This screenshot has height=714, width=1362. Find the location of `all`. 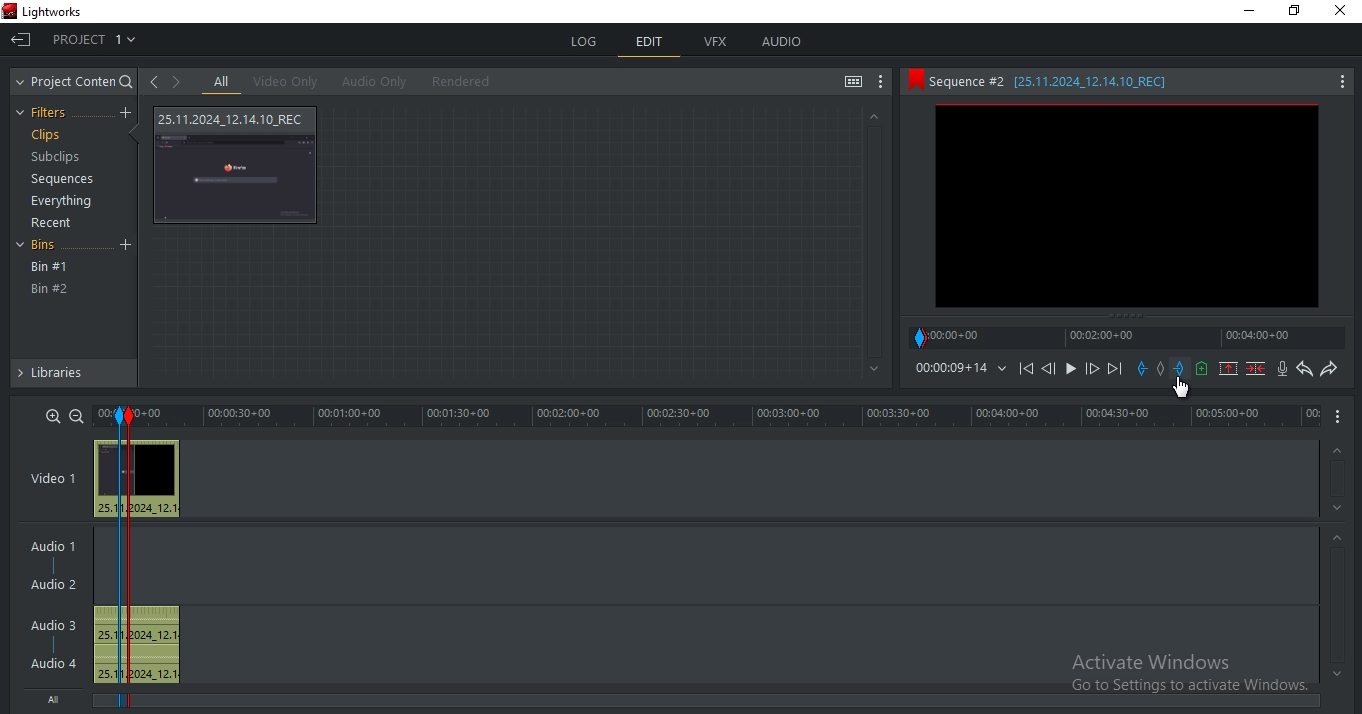

all is located at coordinates (222, 82).